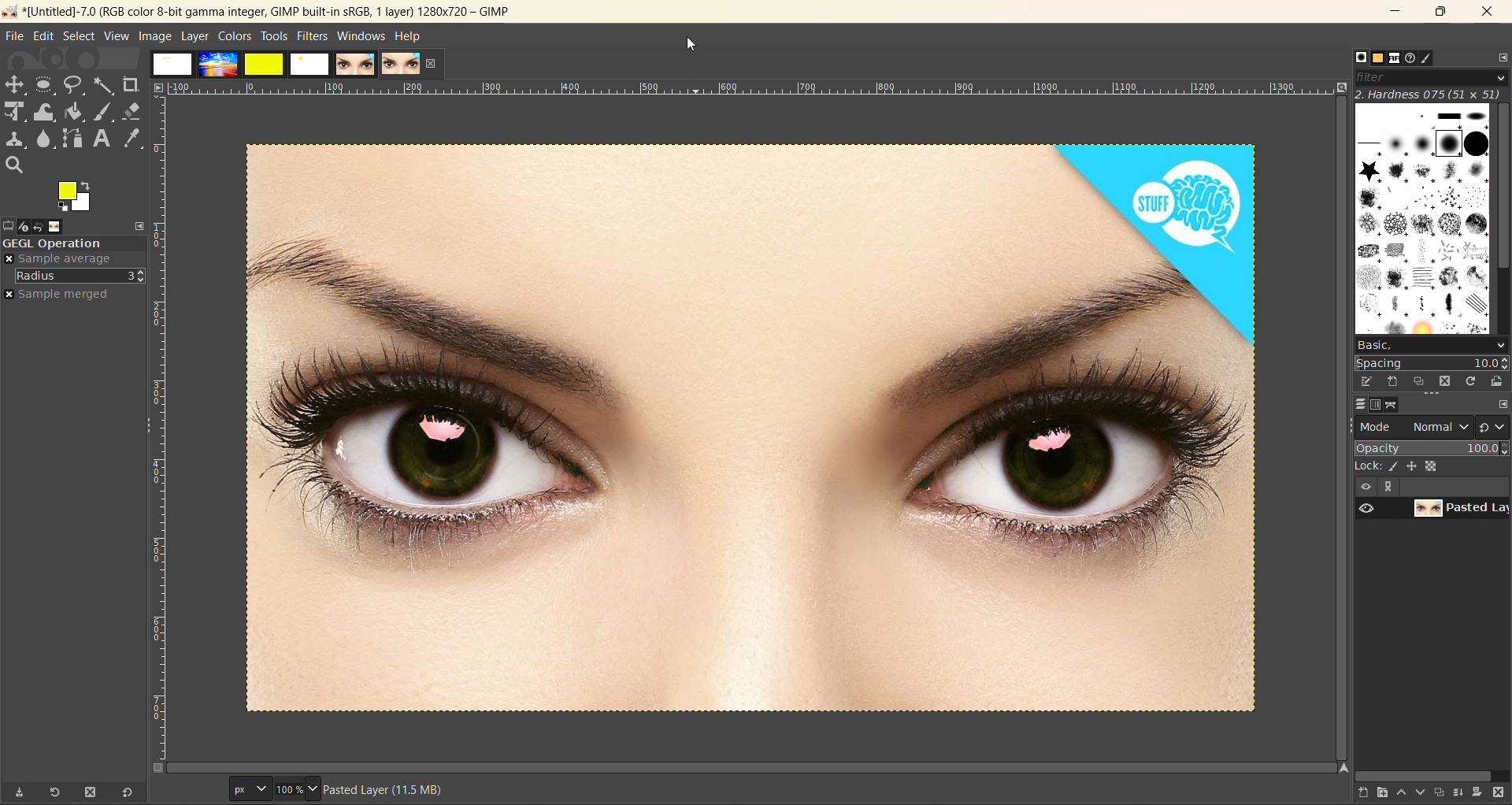 This screenshot has height=805, width=1512. I want to click on close, so click(434, 64).